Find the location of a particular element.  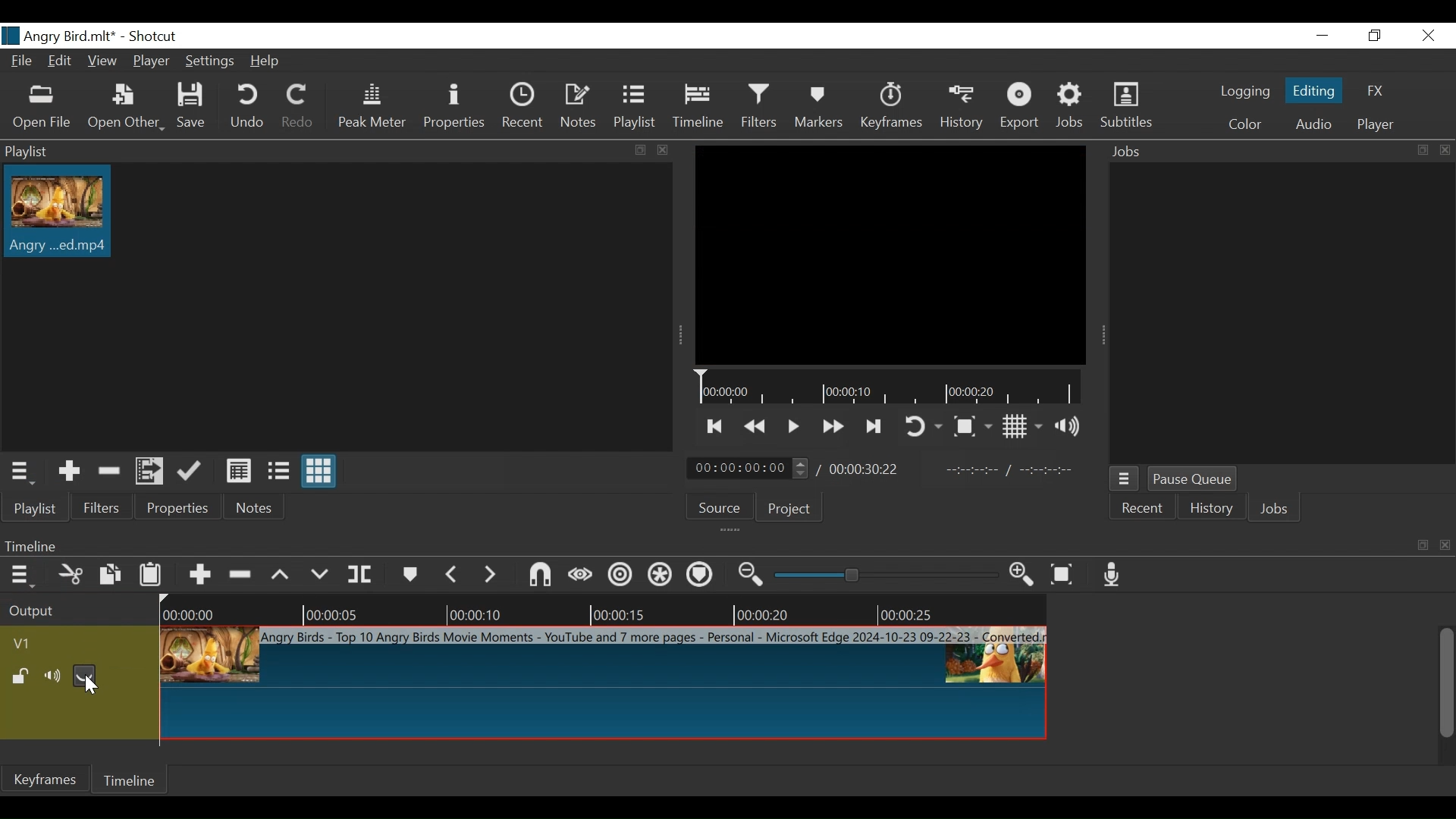

View is located at coordinates (104, 61).